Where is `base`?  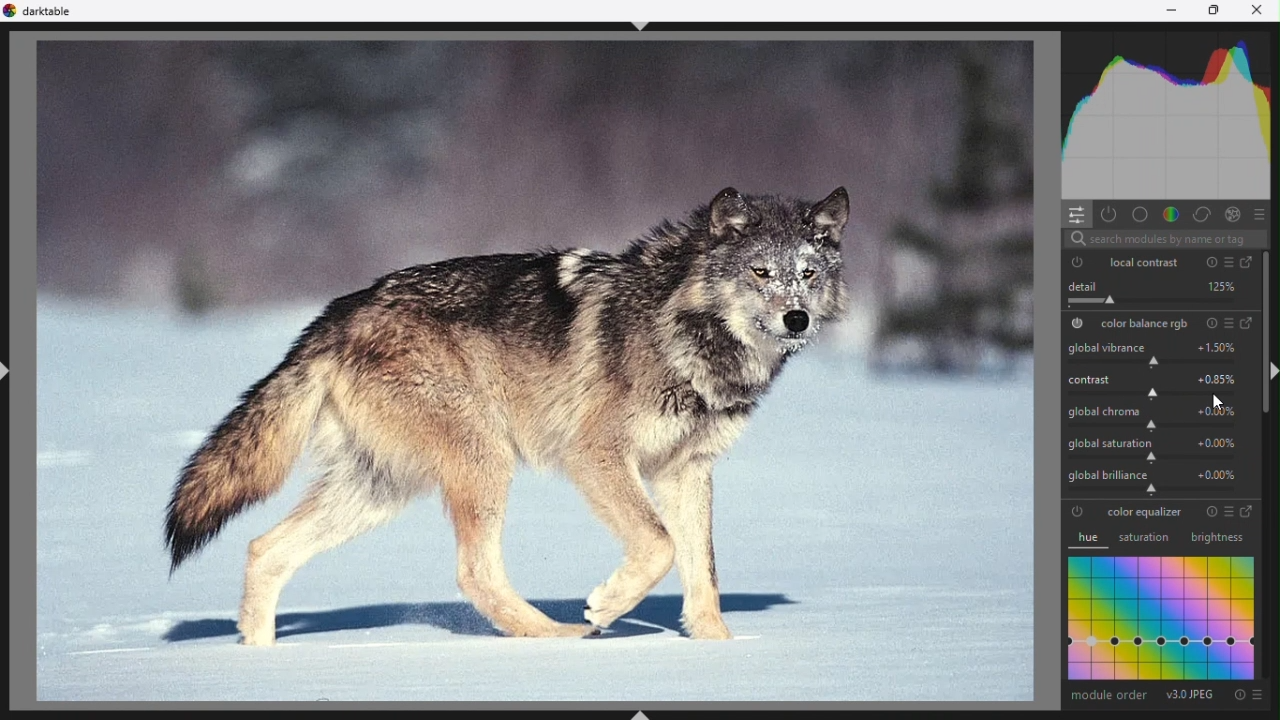 base is located at coordinates (1141, 213).